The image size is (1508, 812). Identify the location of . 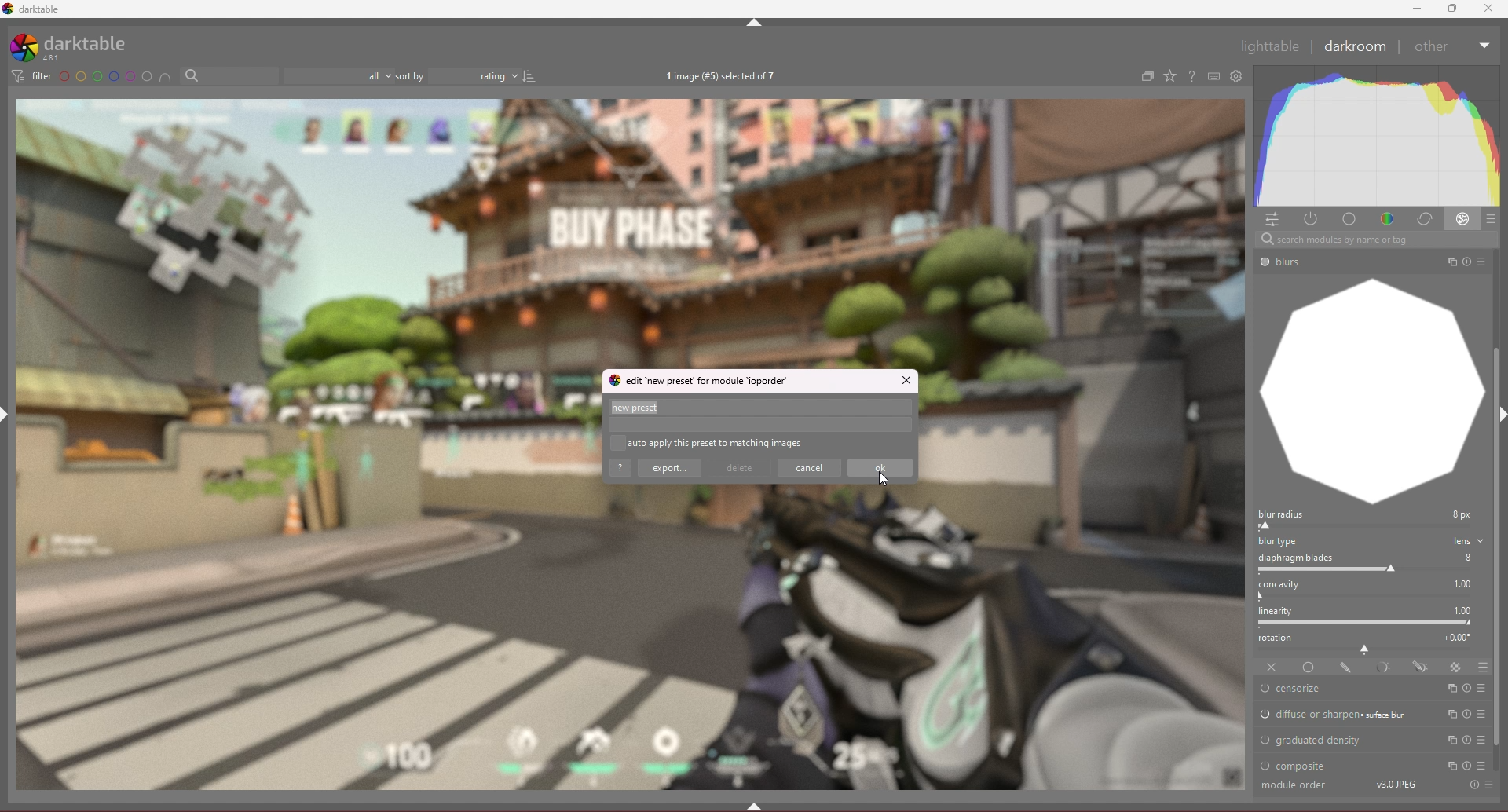
(1433, 48).